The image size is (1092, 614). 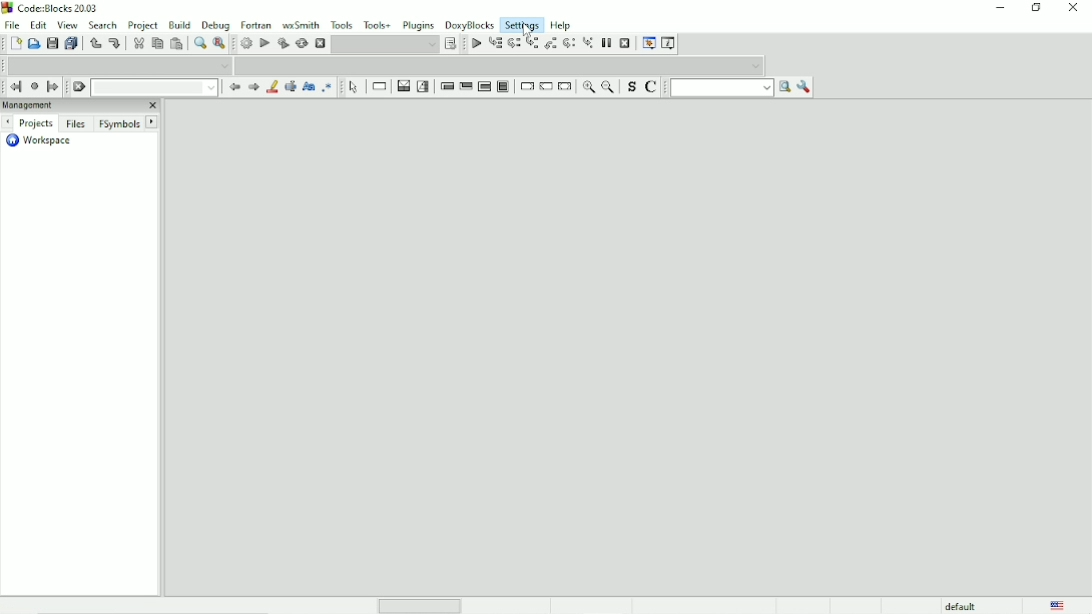 I want to click on Open, so click(x=33, y=43).